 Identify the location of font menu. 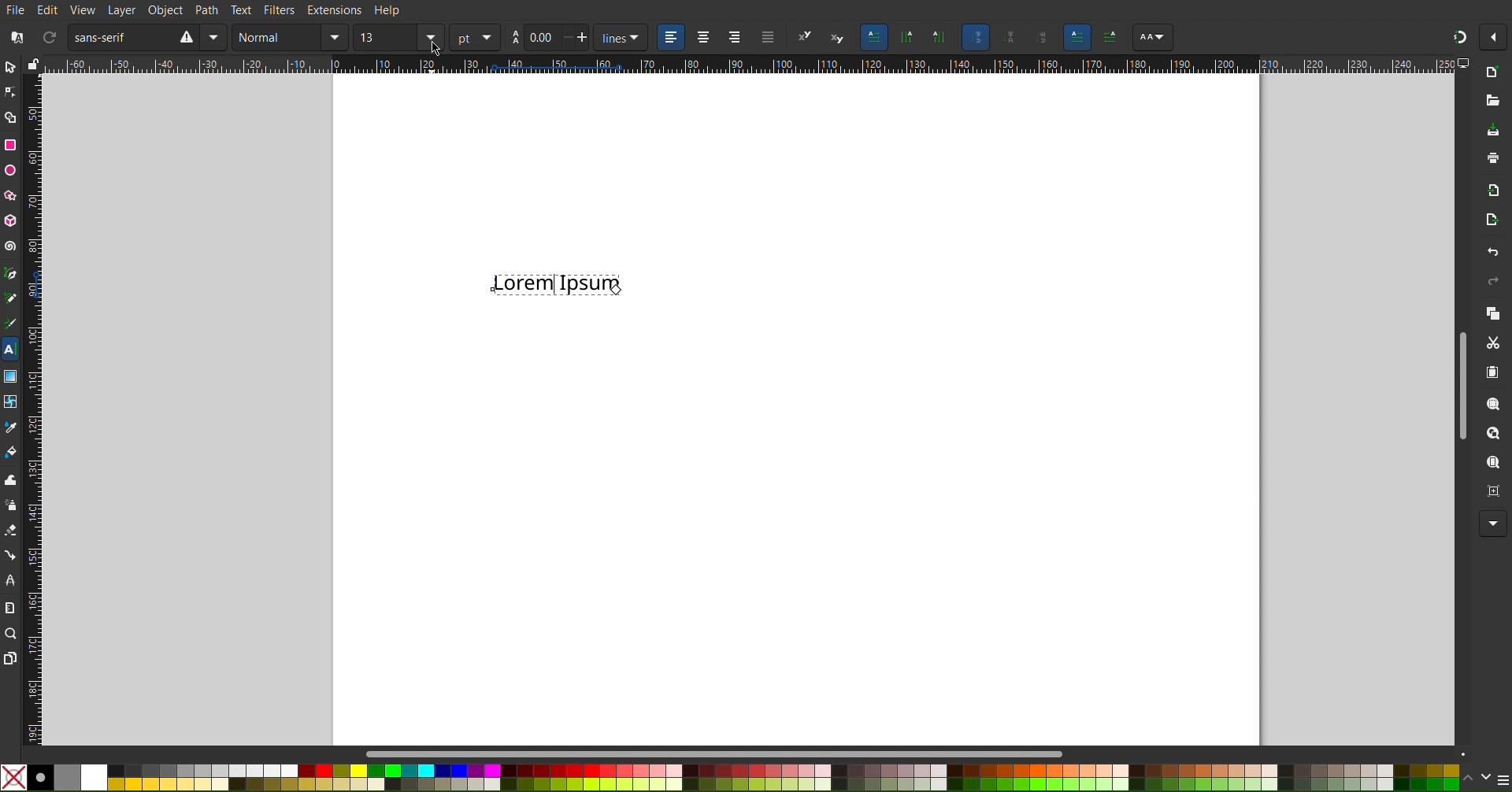
(217, 37).